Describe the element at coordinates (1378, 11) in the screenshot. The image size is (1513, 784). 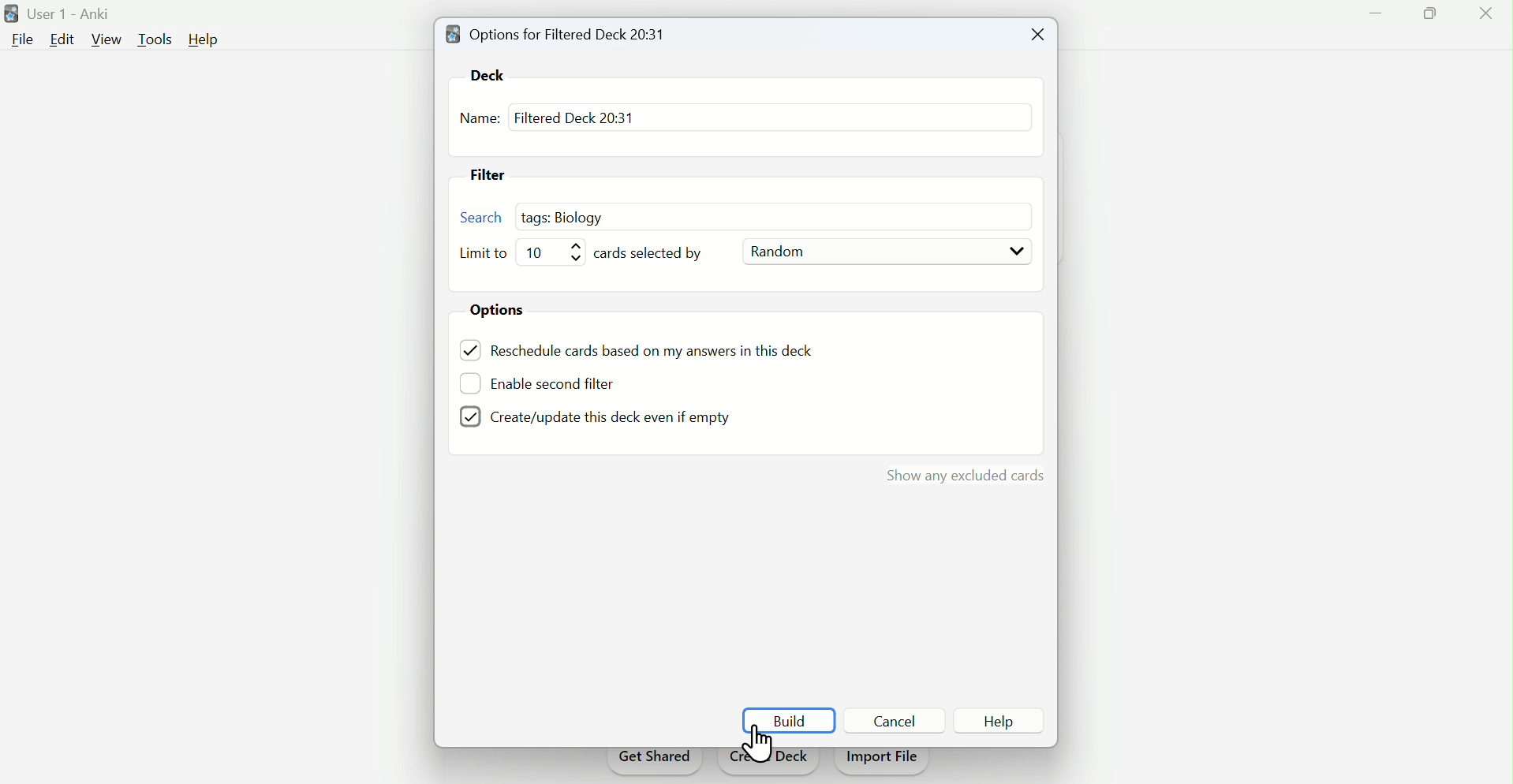
I see `Minimise` at that location.